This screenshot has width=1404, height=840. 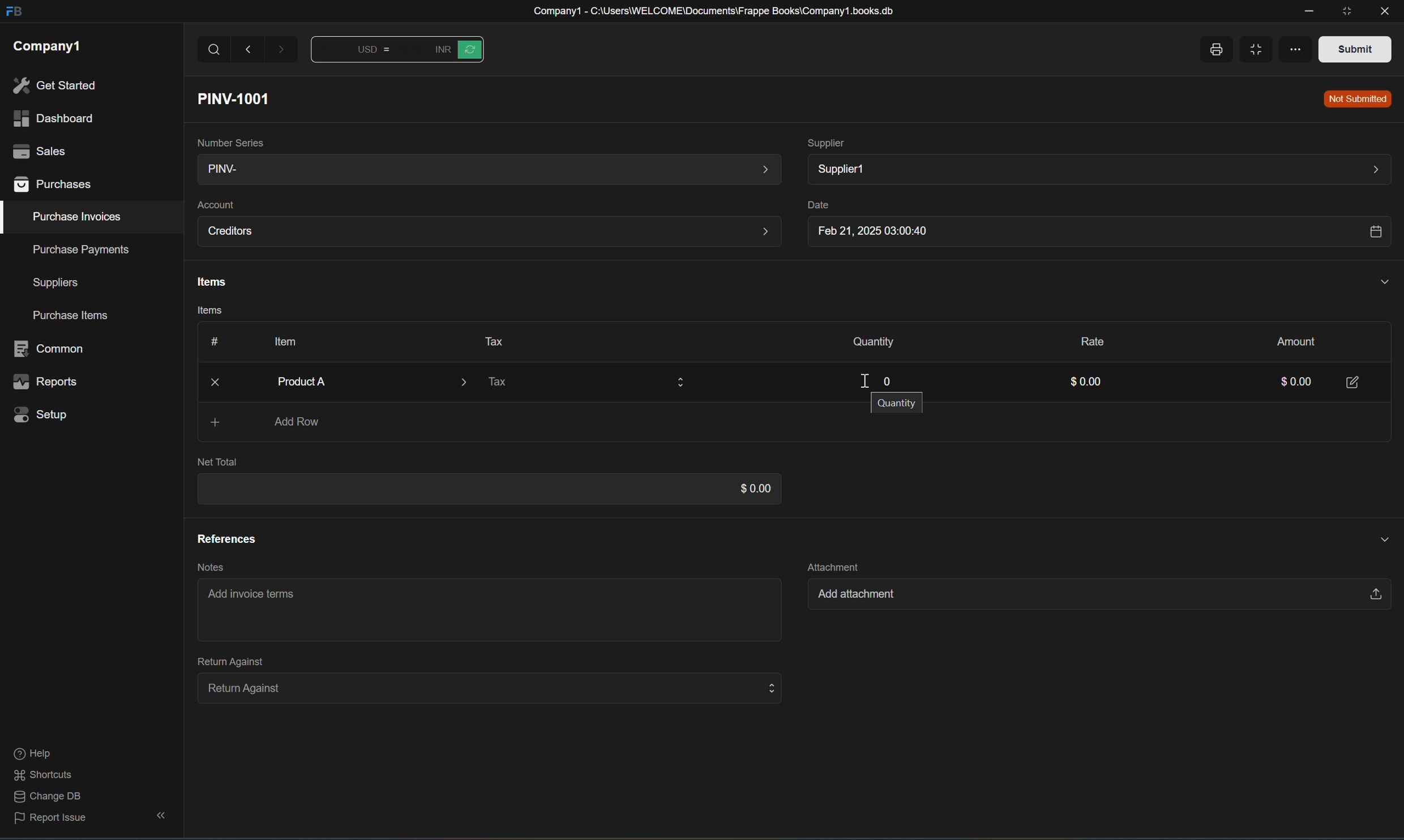 What do you see at coordinates (1355, 48) in the screenshot?
I see `Submit` at bounding box center [1355, 48].